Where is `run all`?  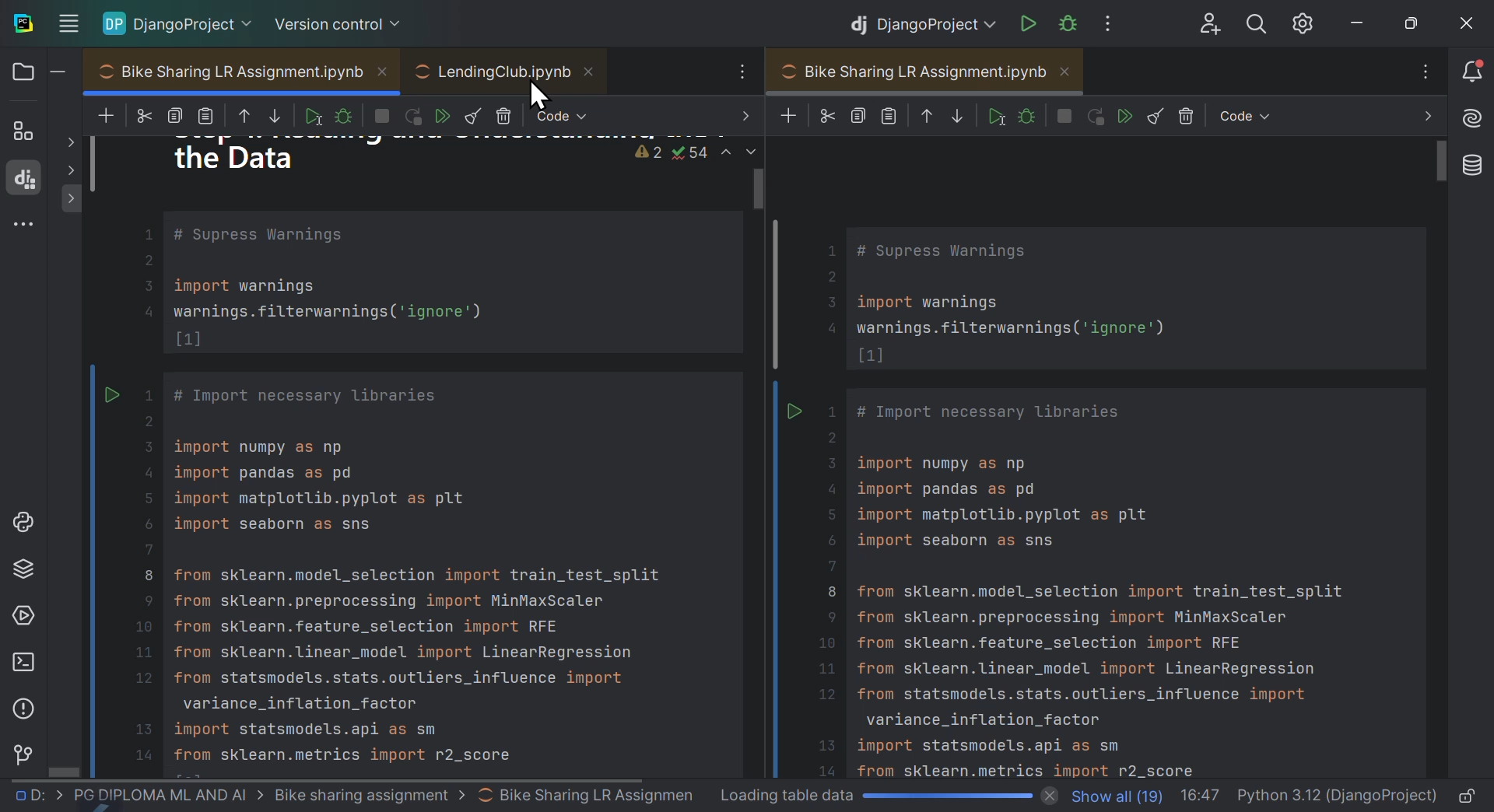 run all is located at coordinates (1127, 117).